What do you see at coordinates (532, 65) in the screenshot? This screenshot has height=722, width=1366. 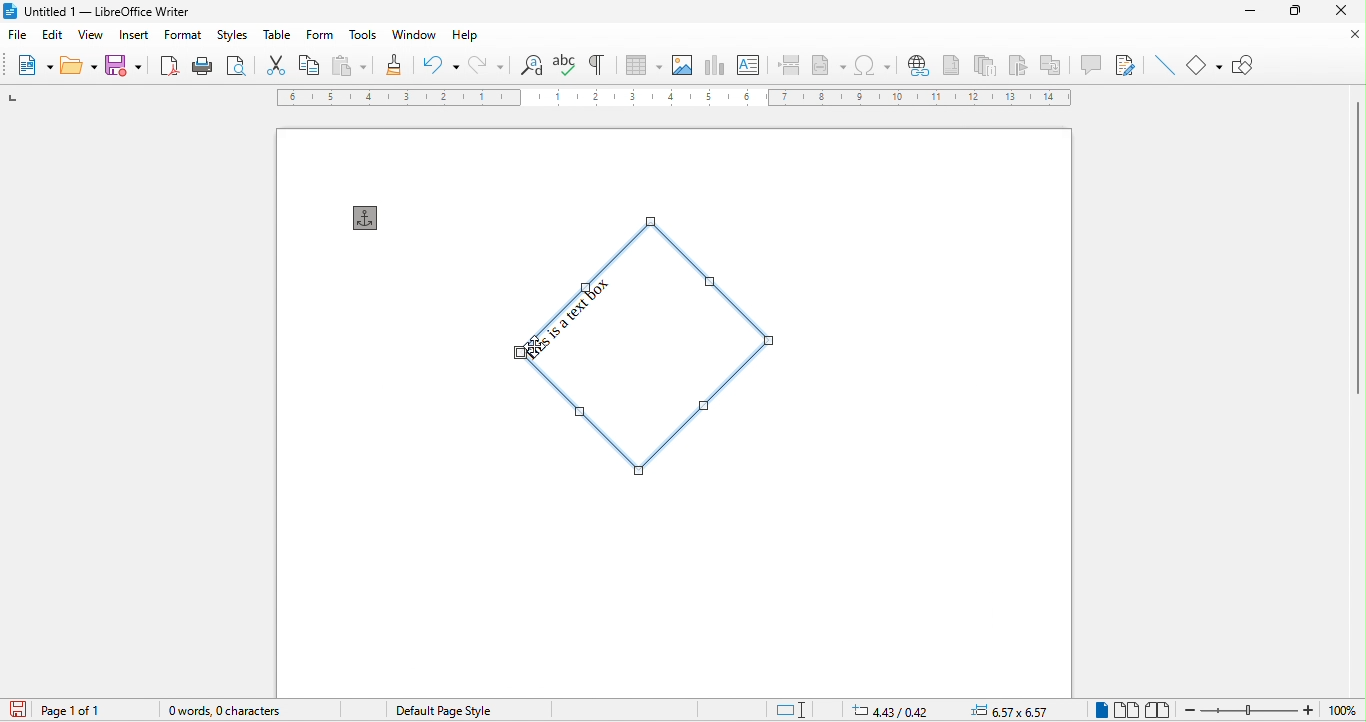 I see `find and replace` at bounding box center [532, 65].